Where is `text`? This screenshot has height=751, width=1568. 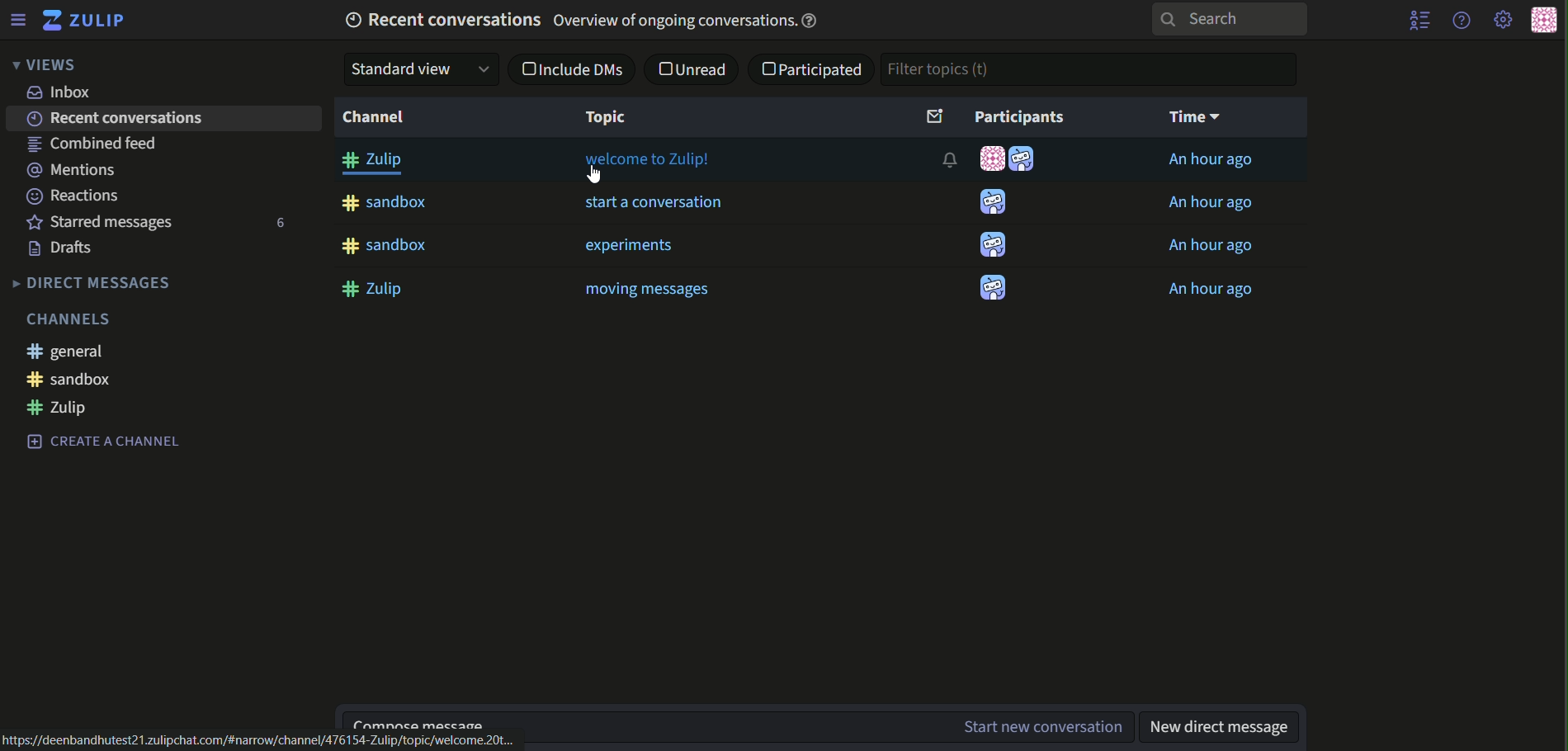 text is located at coordinates (1216, 248).